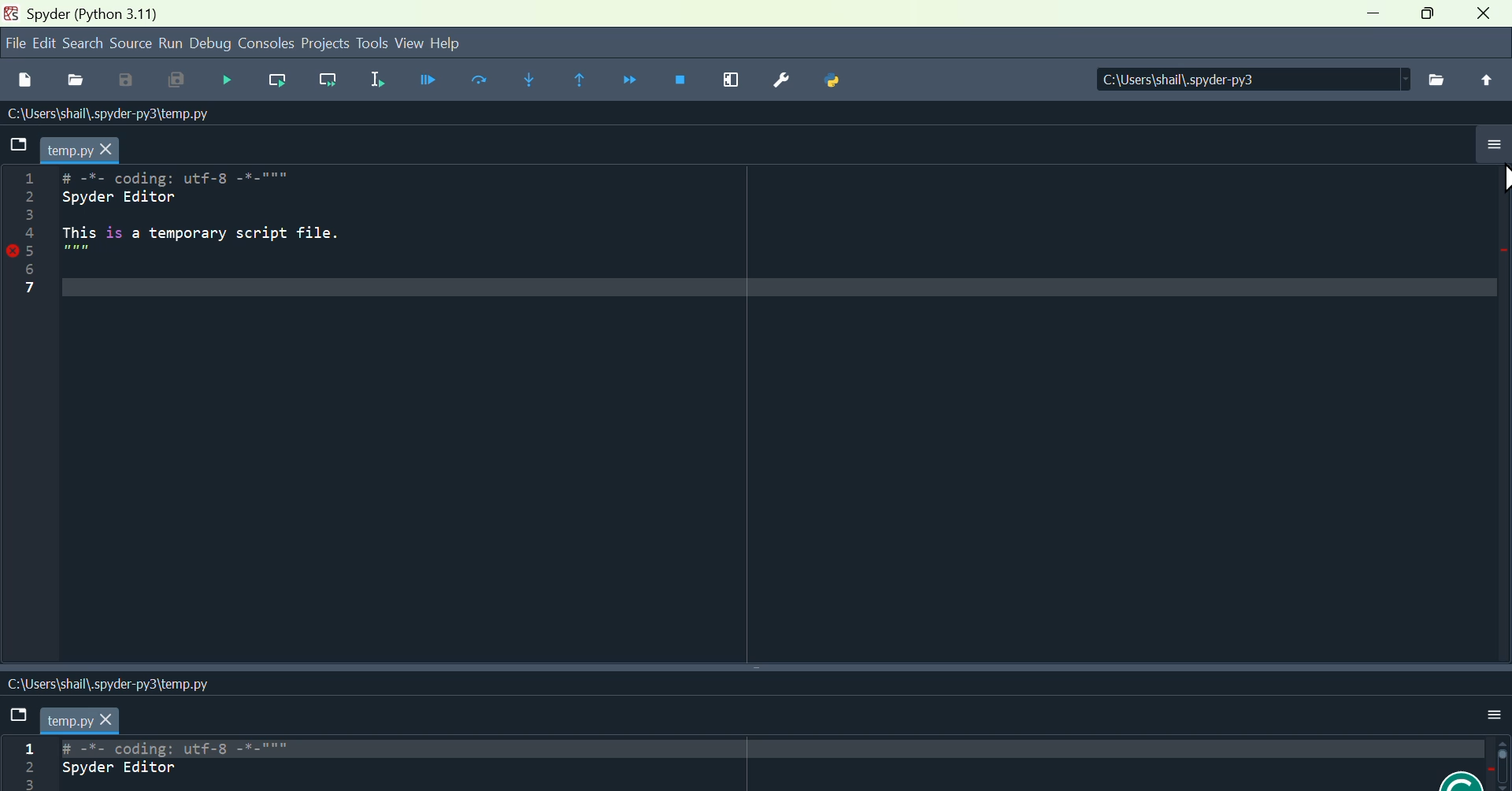  I want to click on New file, so click(25, 81).